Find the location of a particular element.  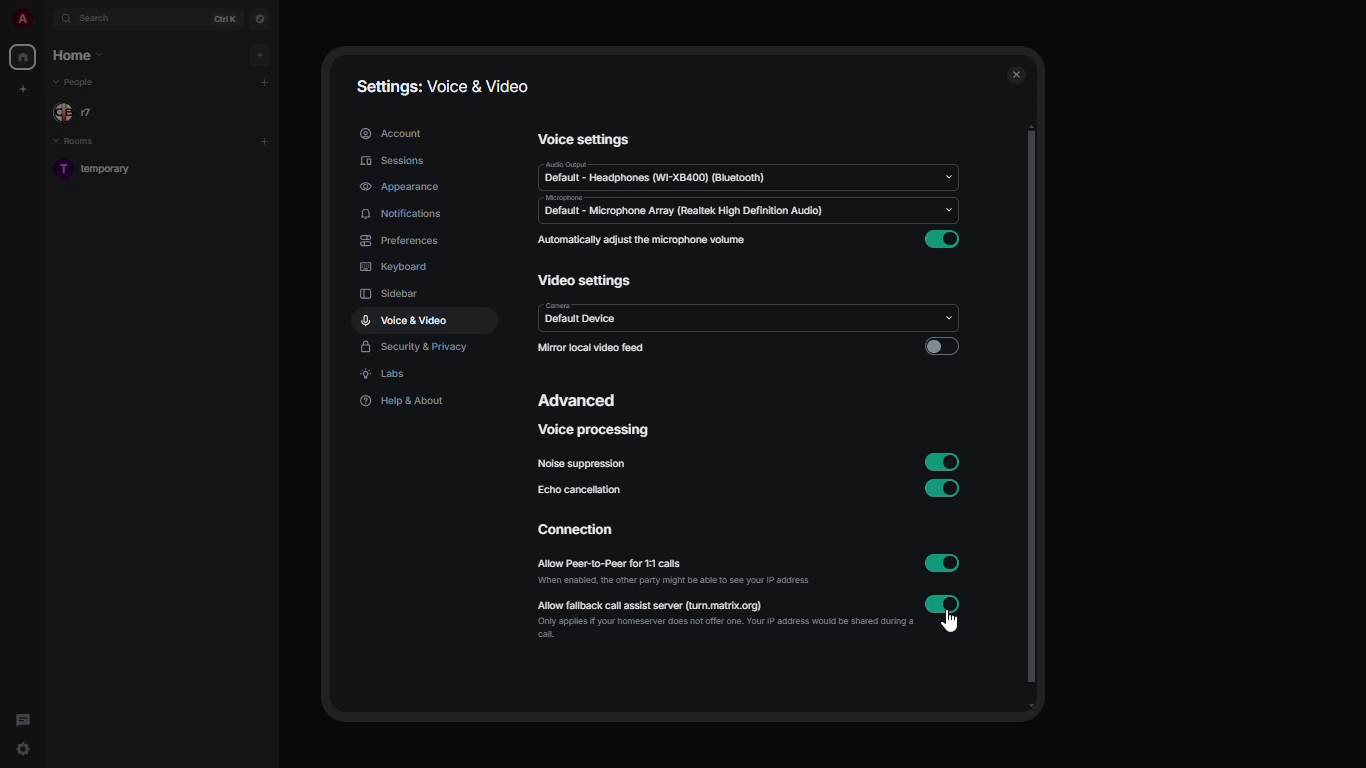

security & privacy is located at coordinates (414, 348).